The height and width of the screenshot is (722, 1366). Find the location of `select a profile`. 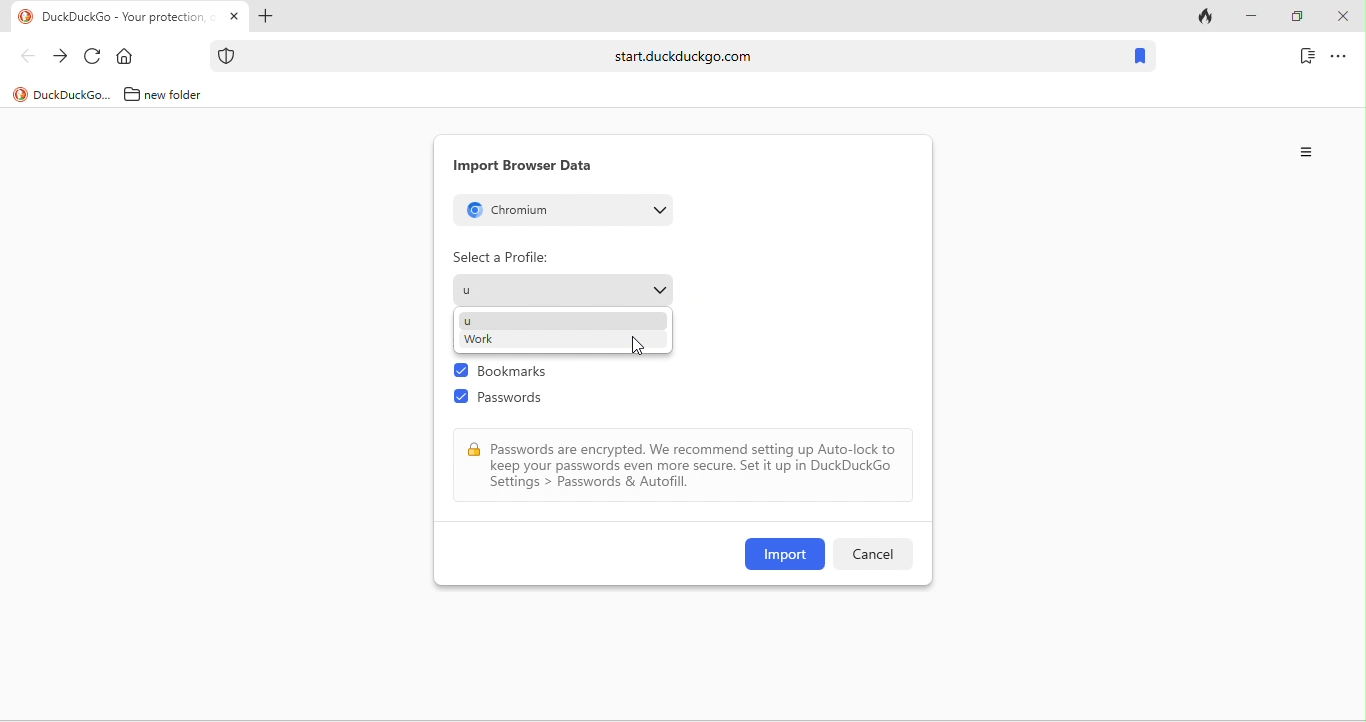

select a profile is located at coordinates (501, 257).